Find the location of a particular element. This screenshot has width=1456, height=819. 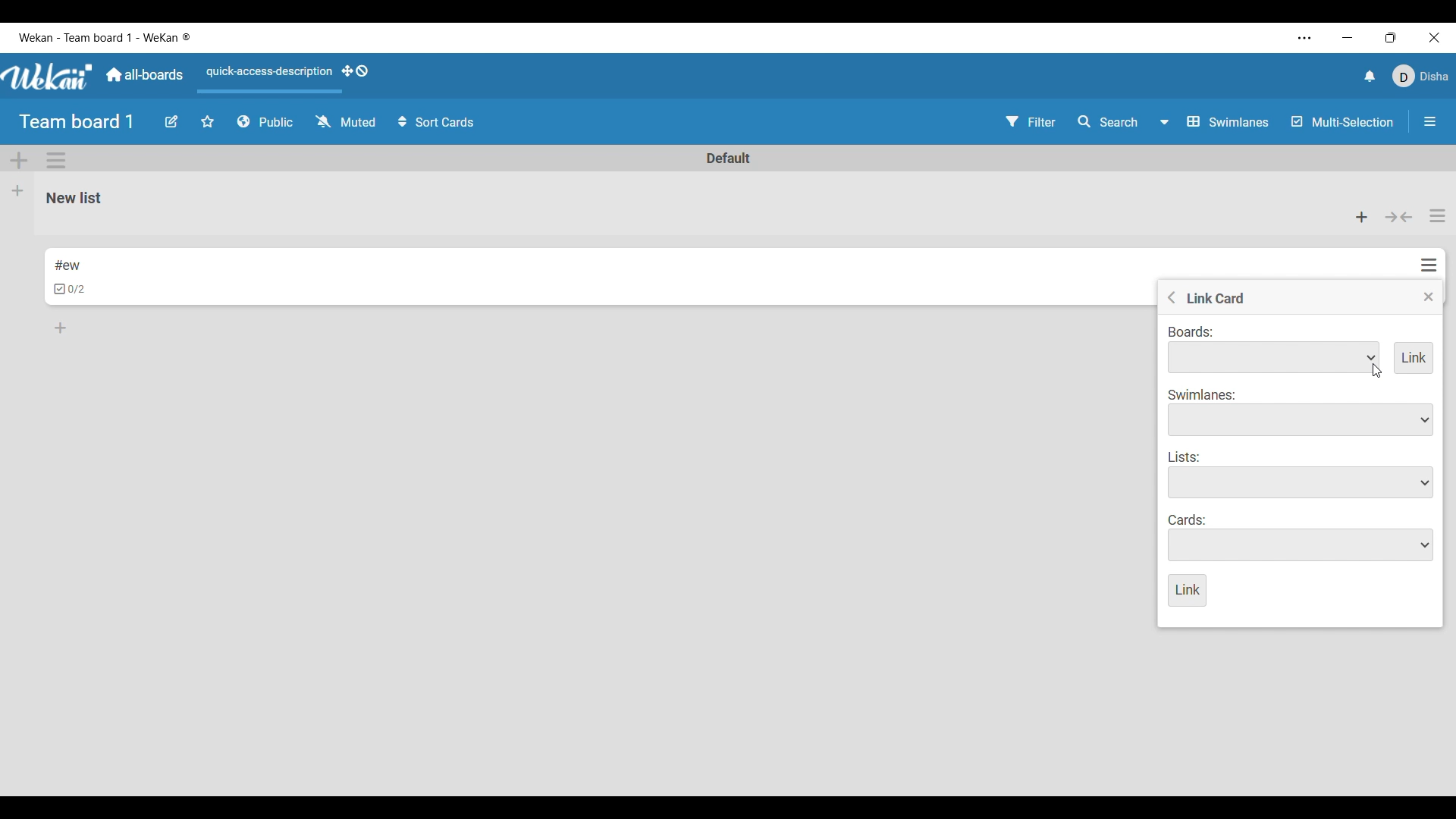

Minimize is located at coordinates (1348, 37).